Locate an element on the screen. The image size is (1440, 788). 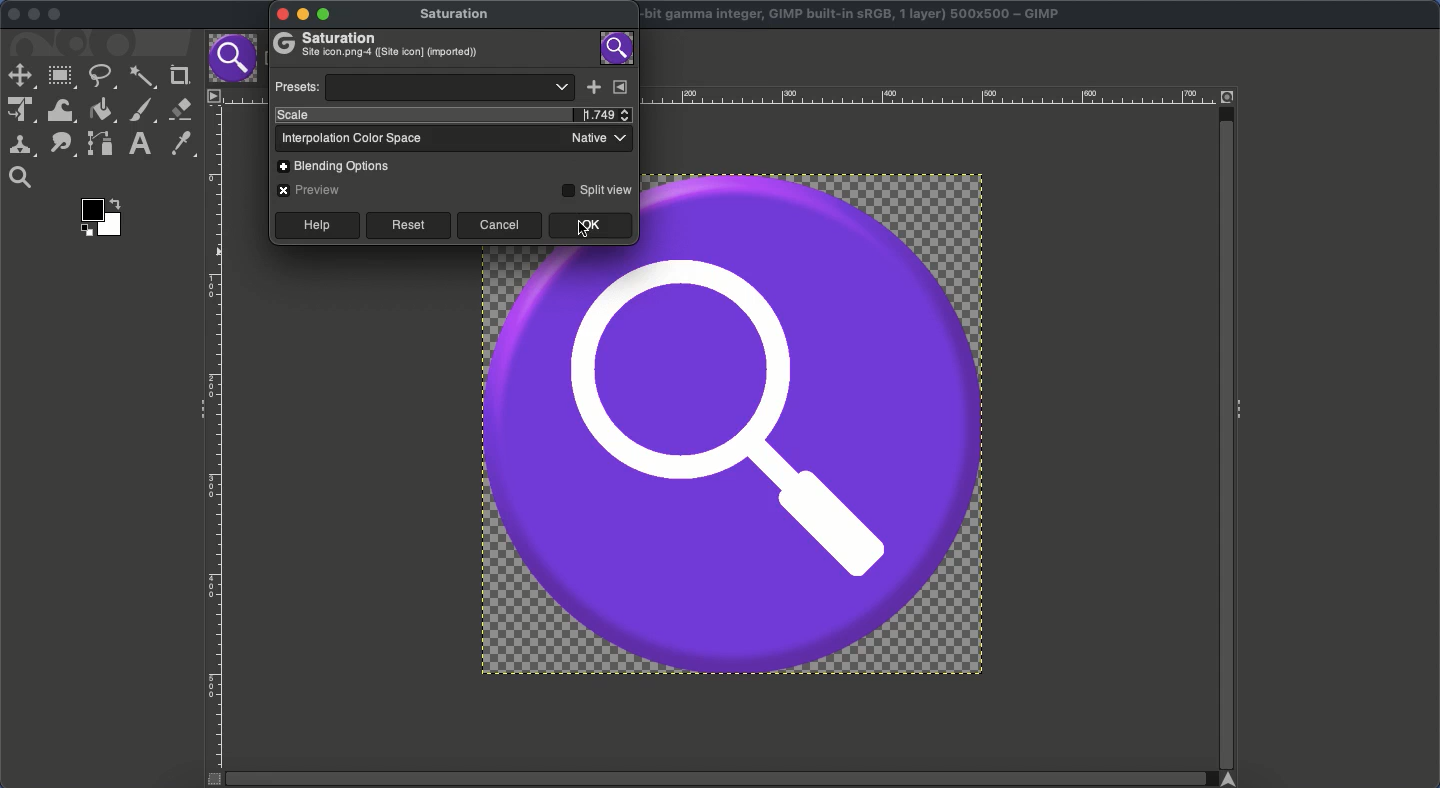
GIMP project is located at coordinates (854, 12).